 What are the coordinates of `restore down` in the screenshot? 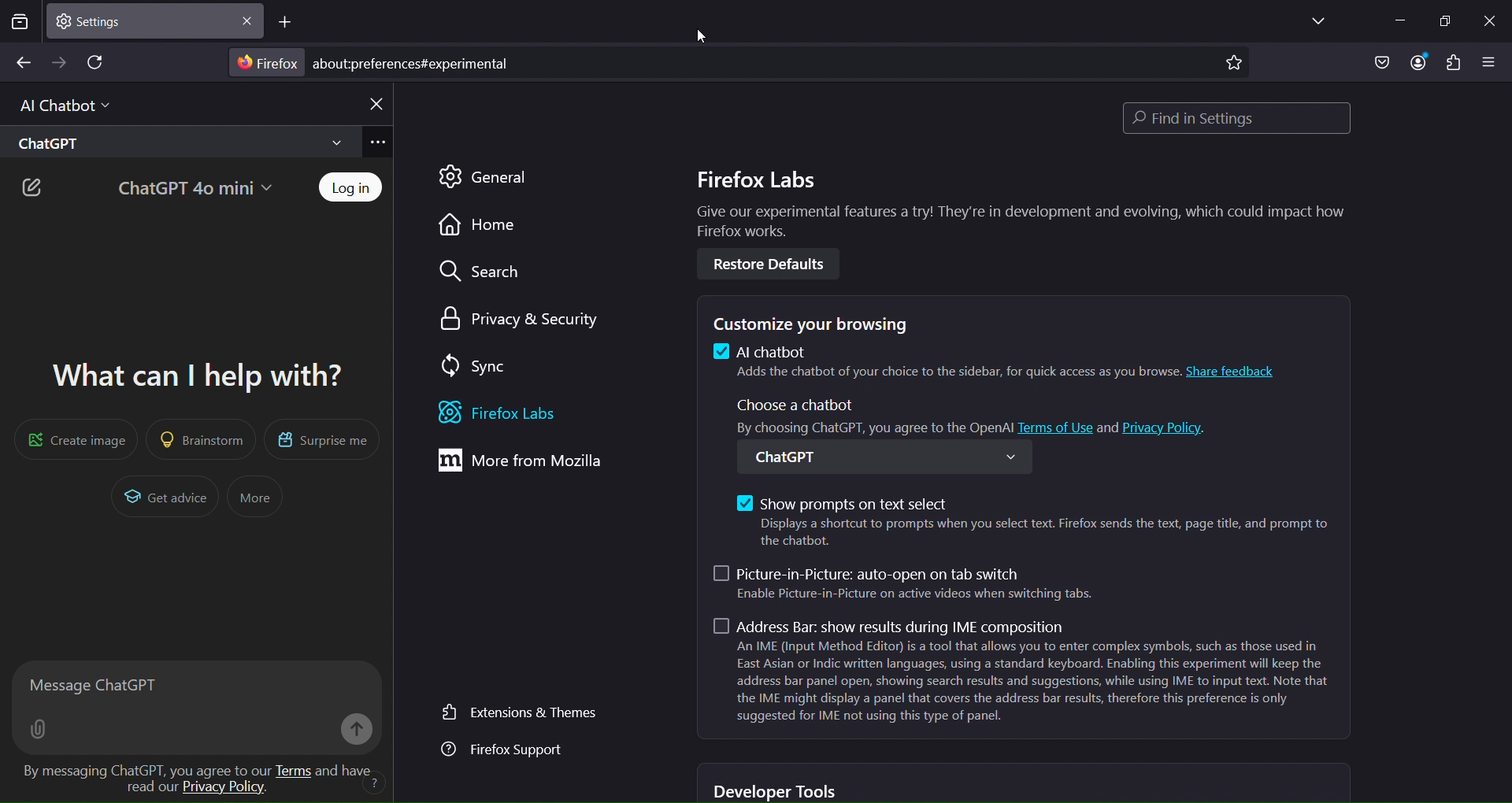 It's located at (1443, 22).